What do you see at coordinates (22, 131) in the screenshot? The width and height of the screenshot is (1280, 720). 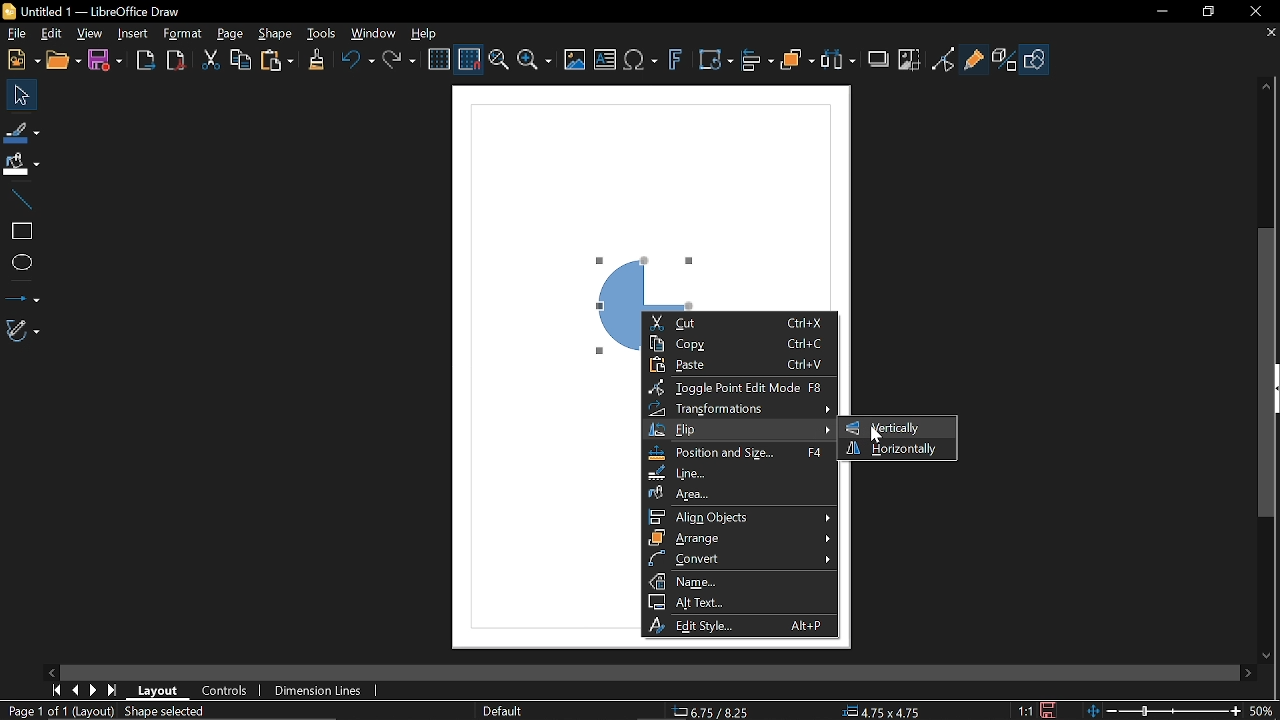 I see `Line color` at bounding box center [22, 131].